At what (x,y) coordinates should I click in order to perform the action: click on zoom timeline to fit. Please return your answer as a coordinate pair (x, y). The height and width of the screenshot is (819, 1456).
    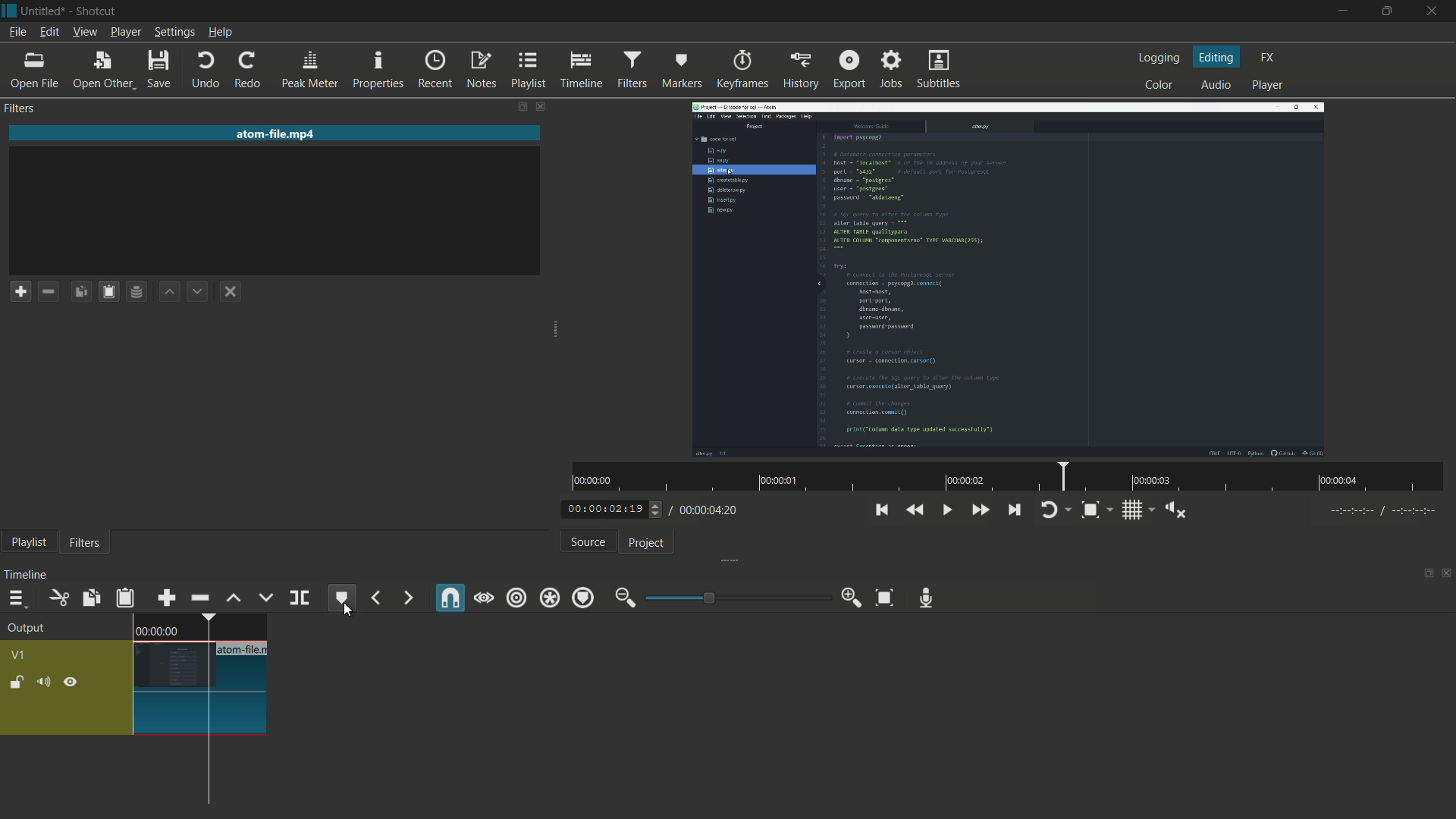
    Looking at the image, I should click on (883, 598).